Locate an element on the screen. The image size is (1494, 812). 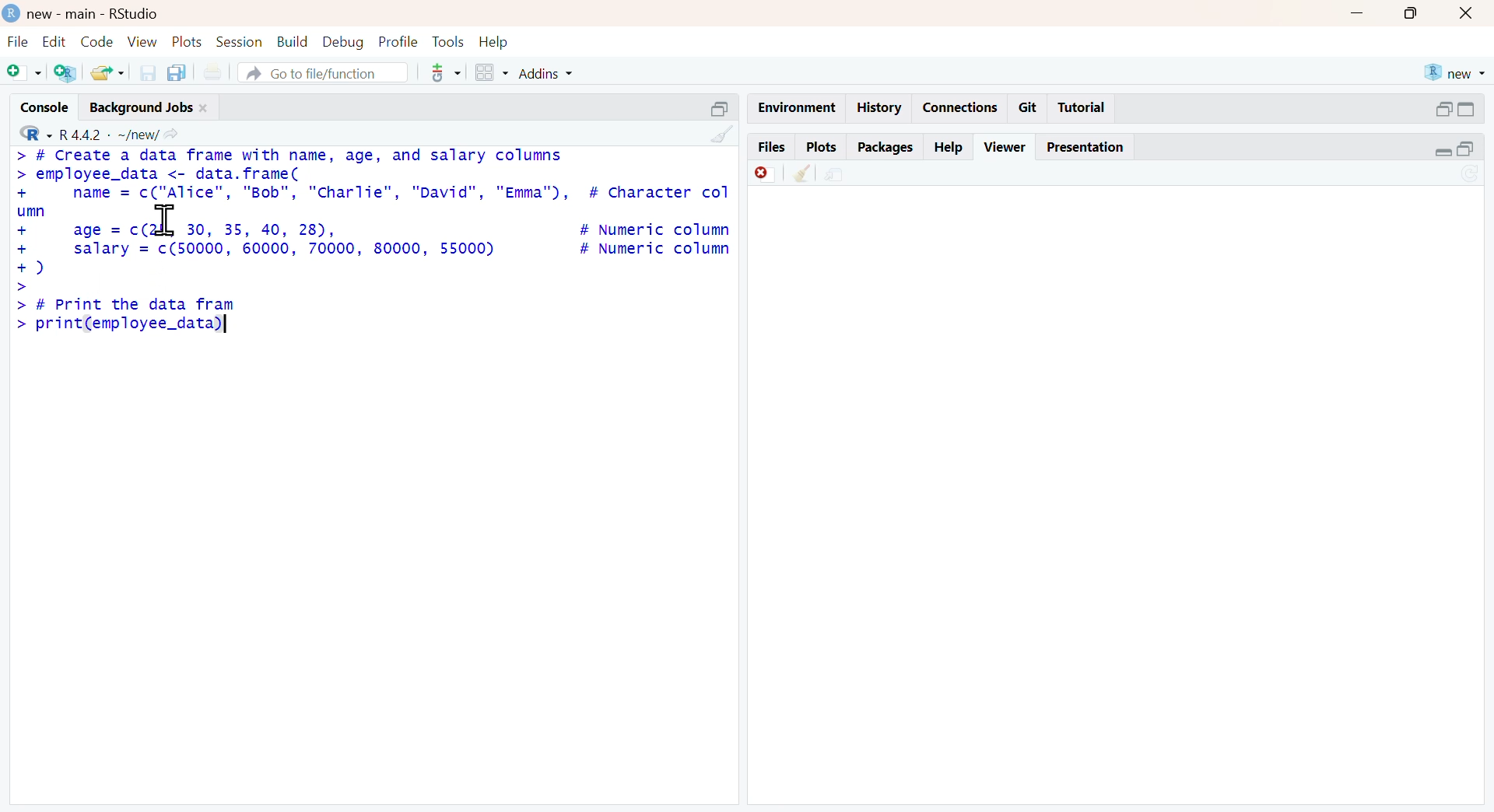
> # Create a data frame with name, age, and salary columns> employee_data <- data. frame(+ name = c("Alice", "Bob", "Charlie", "David", "Emma"), # Character column+ age = cal 30, 35, 40, 28), # Numeric column+ salary = c(50000, 60000, 70000, 80000, 55000) # Numeric column+)>> # Print the data fram print(employee_data) is located at coordinates (372, 240).